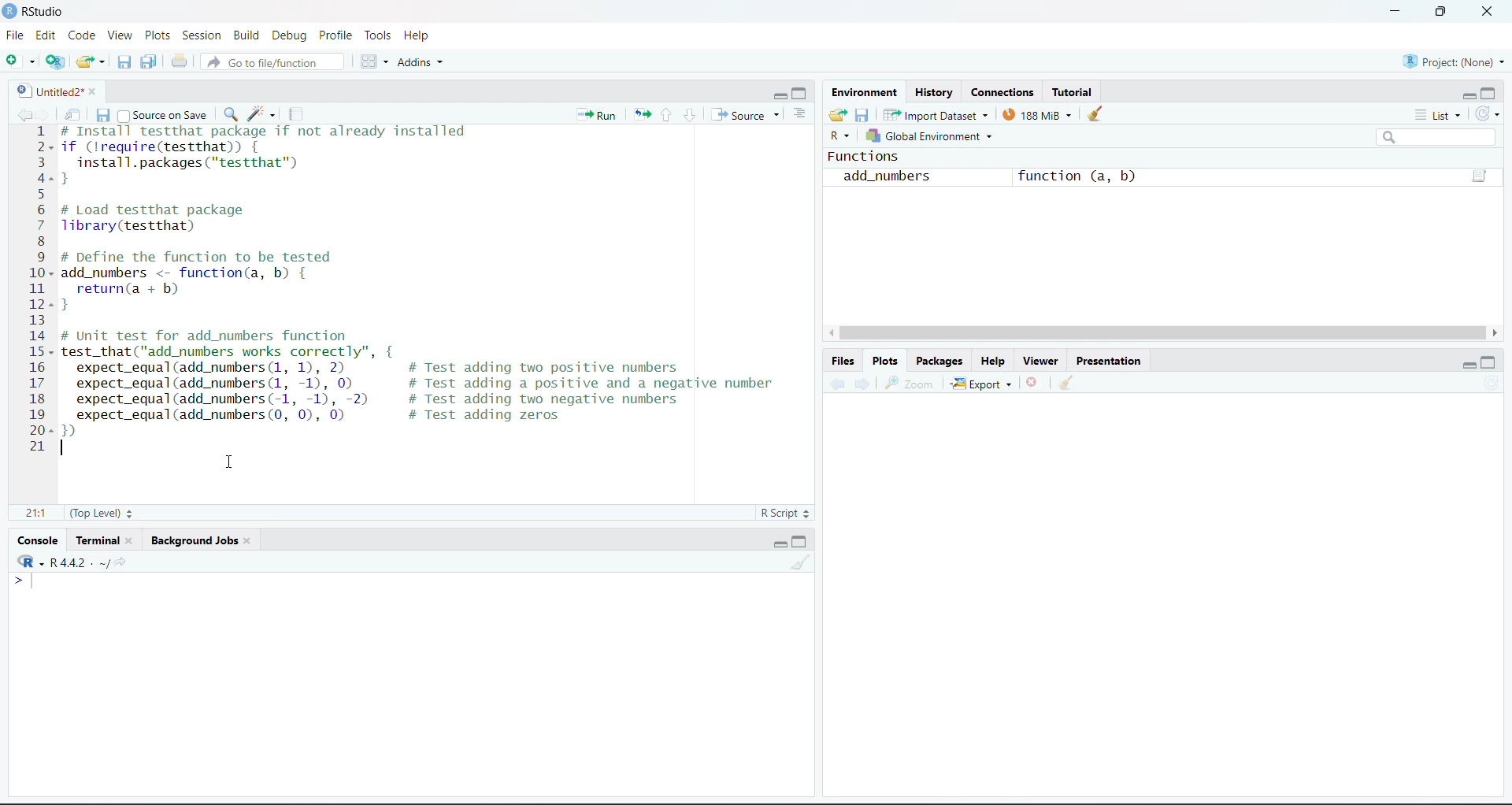 The height and width of the screenshot is (805, 1512). I want to click on Connections, so click(997, 91).